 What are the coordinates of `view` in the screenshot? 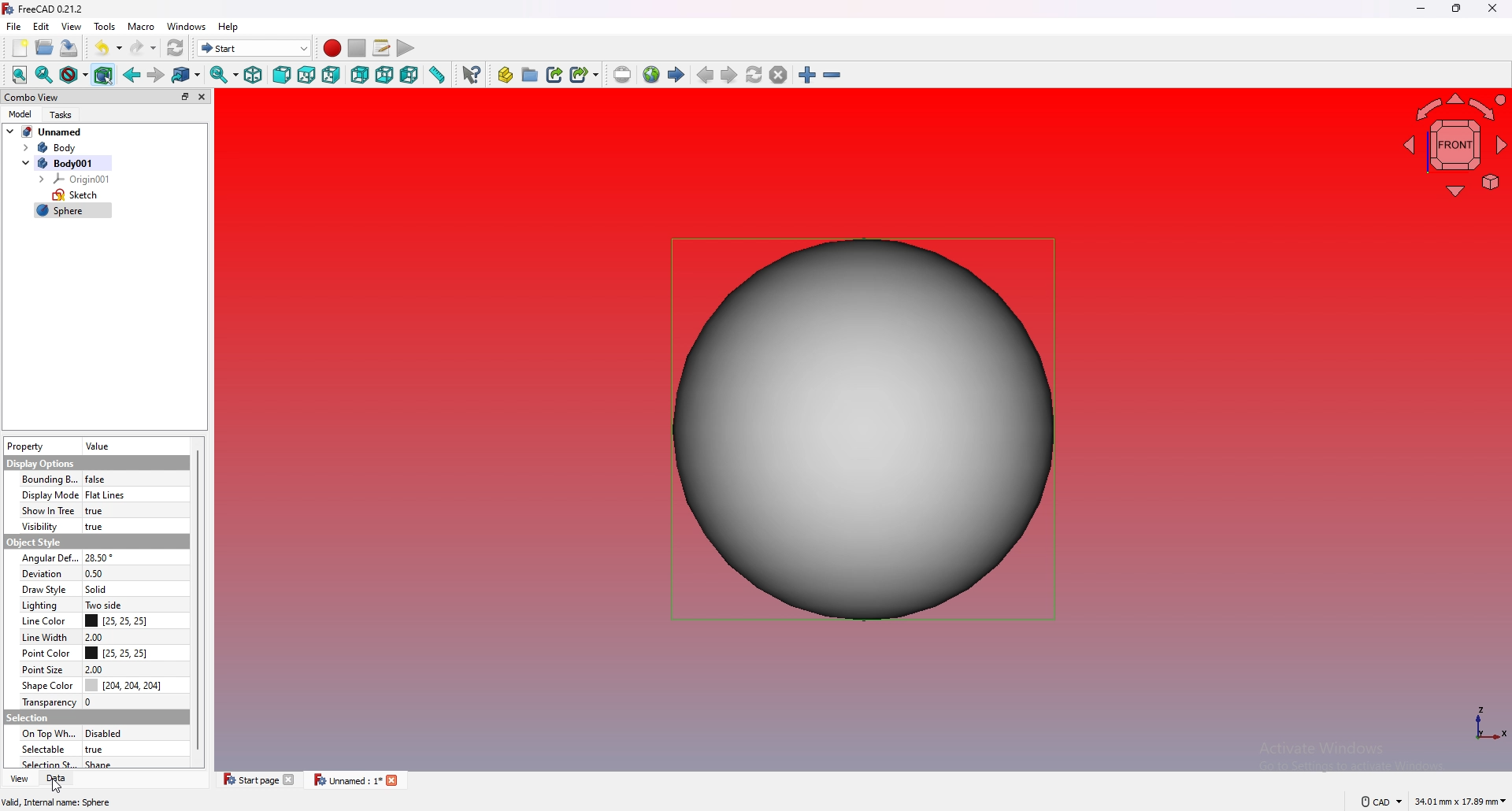 It's located at (71, 27).